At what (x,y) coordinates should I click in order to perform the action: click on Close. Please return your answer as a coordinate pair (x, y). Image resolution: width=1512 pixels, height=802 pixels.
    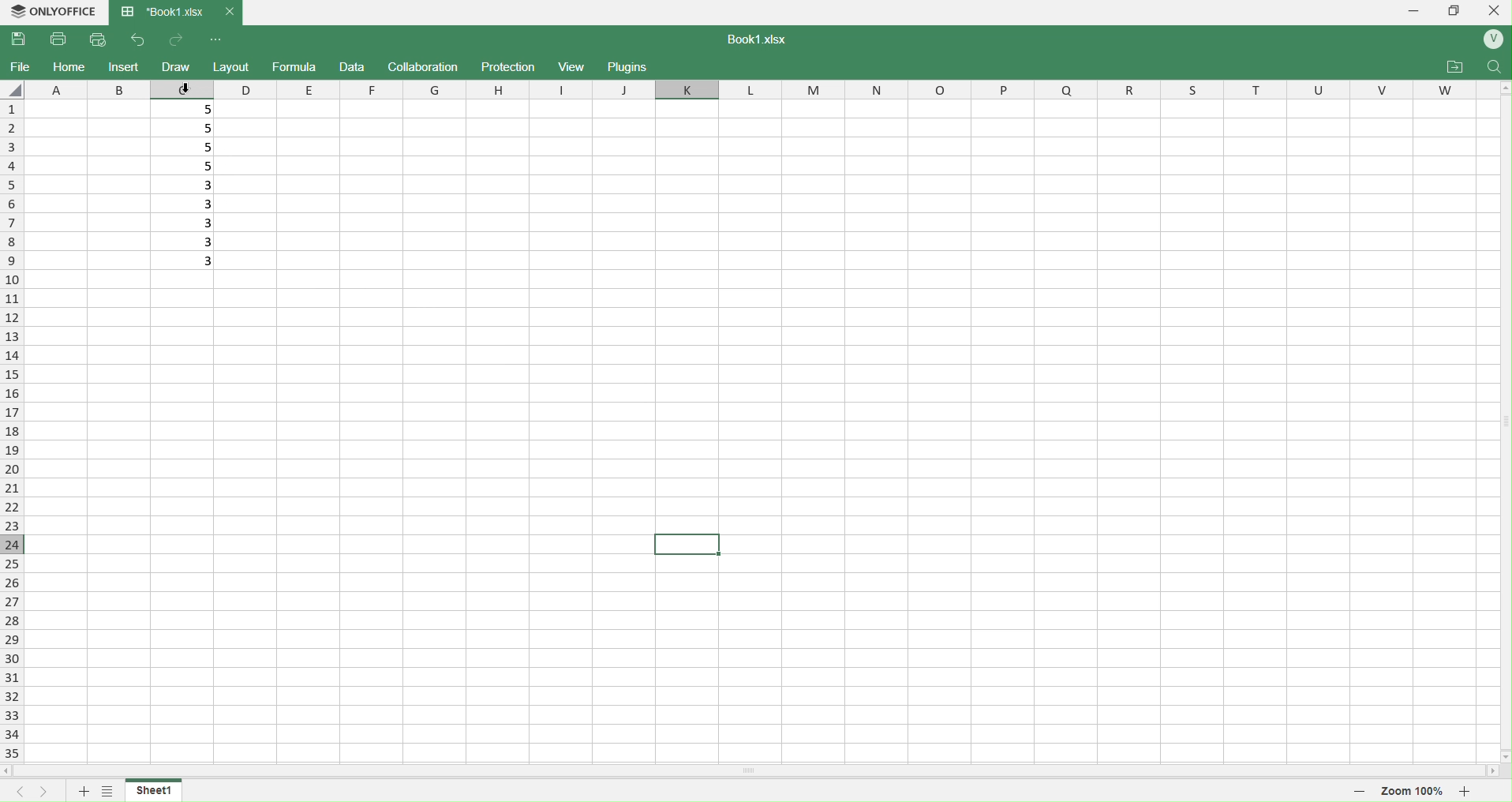
    Looking at the image, I should click on (1496, 10).